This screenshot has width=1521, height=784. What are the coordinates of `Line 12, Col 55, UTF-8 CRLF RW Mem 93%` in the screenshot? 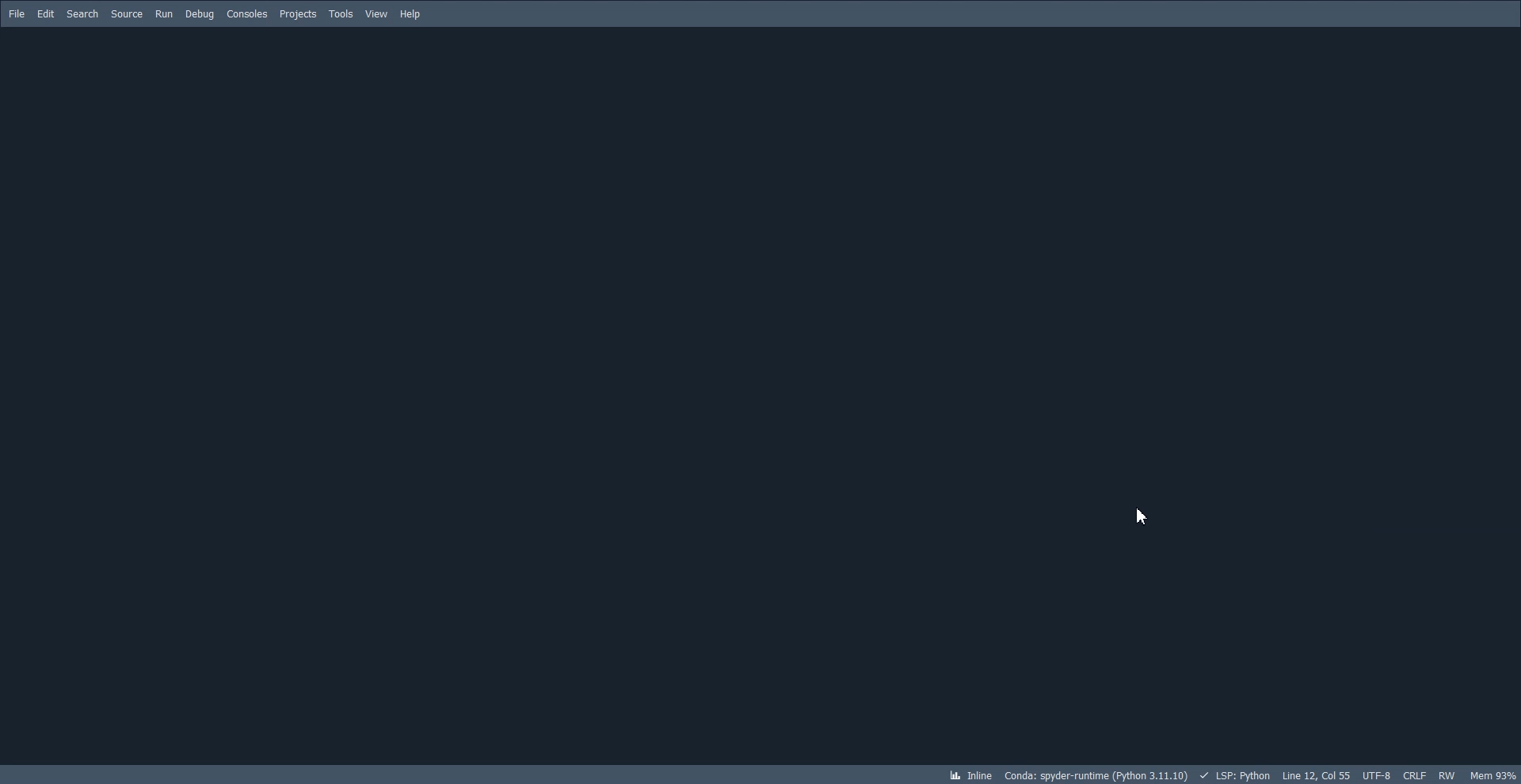 It's located at (1401, 774).